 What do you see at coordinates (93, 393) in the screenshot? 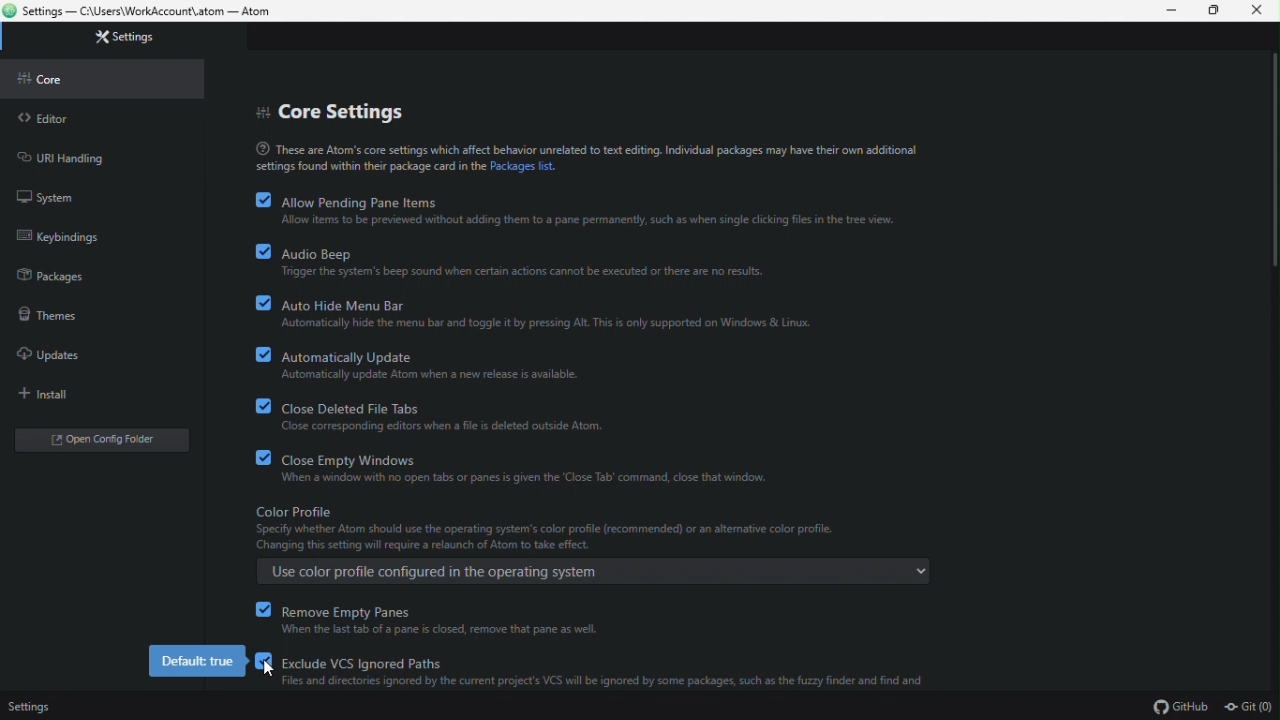
I see `Install` at bounding box center [93, 393].